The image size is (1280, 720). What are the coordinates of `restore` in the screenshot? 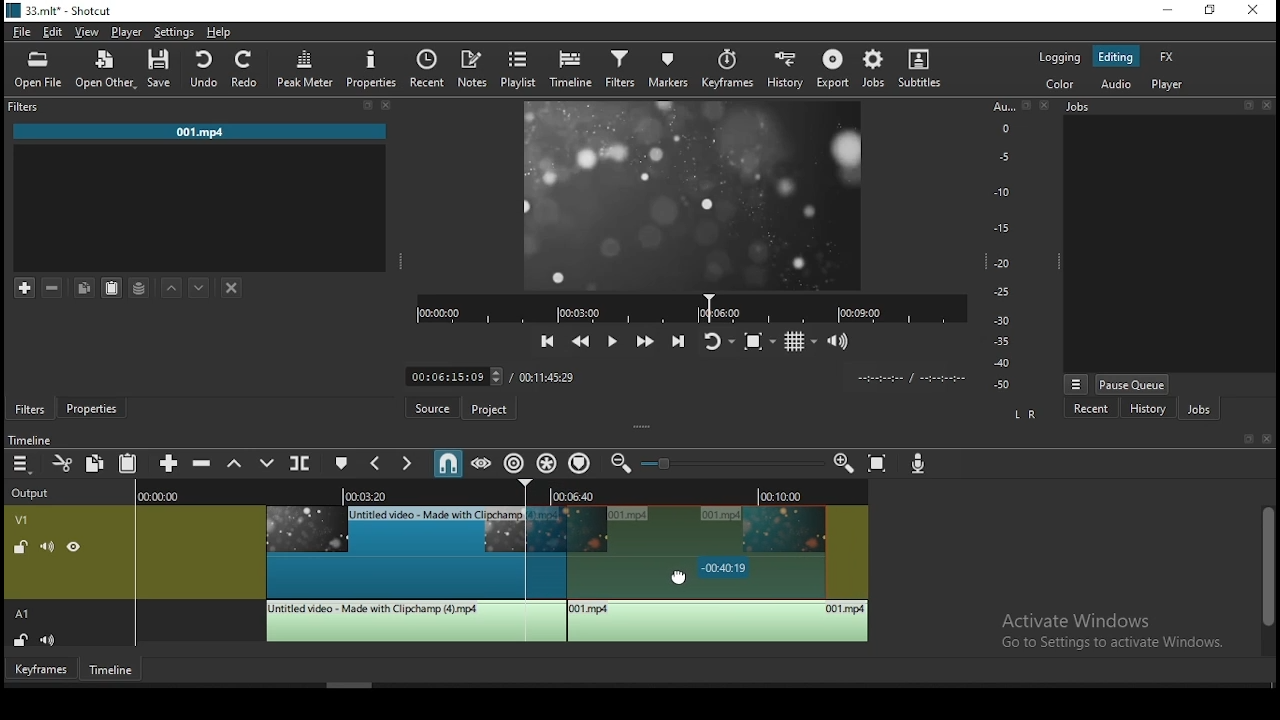 It's located at (1209, 11).